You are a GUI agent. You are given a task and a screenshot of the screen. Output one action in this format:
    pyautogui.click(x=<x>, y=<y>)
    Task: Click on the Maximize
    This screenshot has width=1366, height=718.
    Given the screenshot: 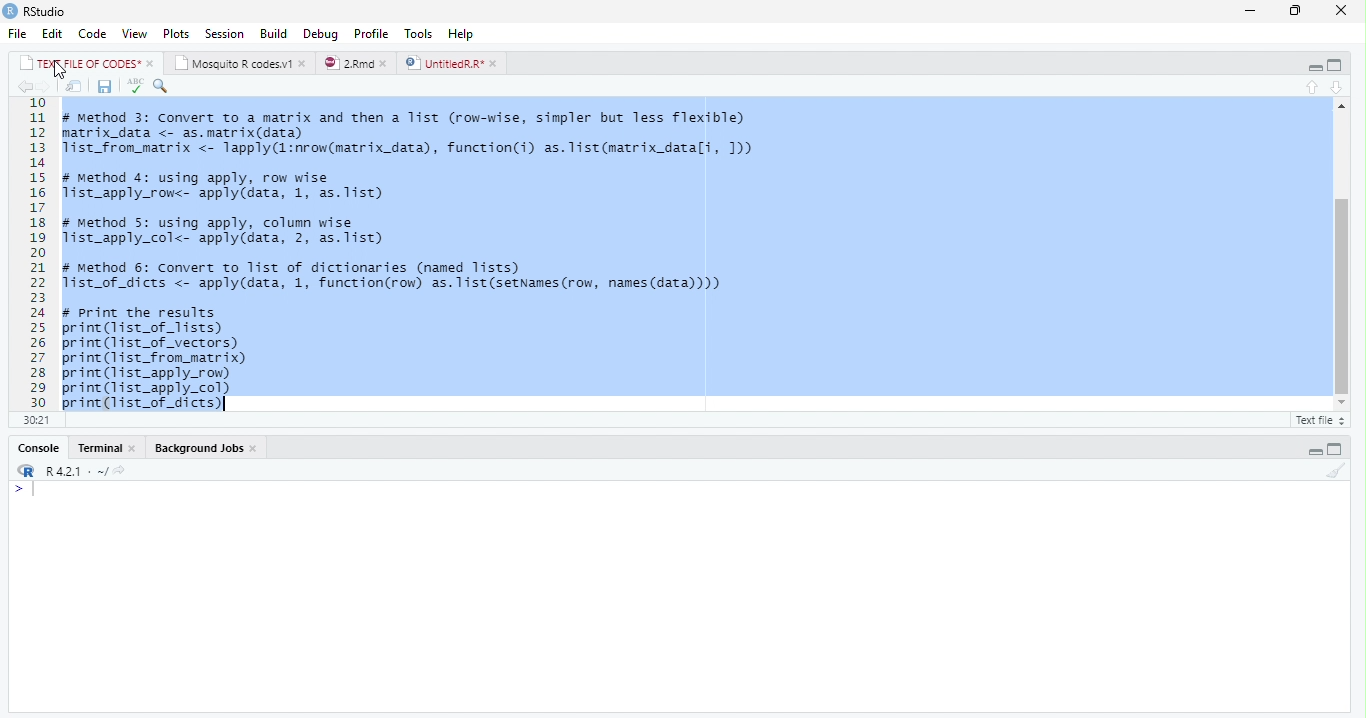 What is the action you would take?
    pyautogui.click(x=1296, y=11)
    